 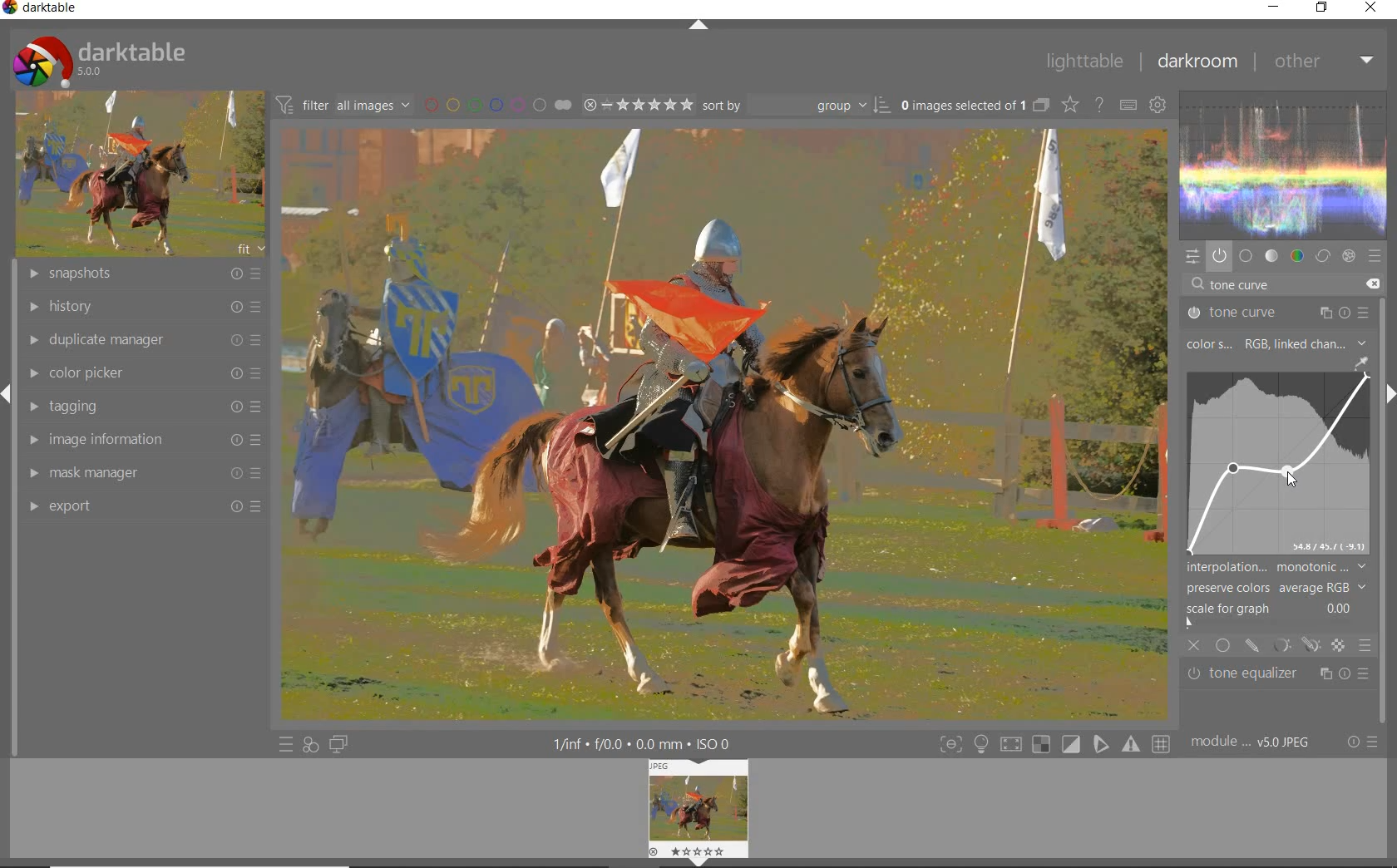 I want to click on other, so click(x=1323, y=61).